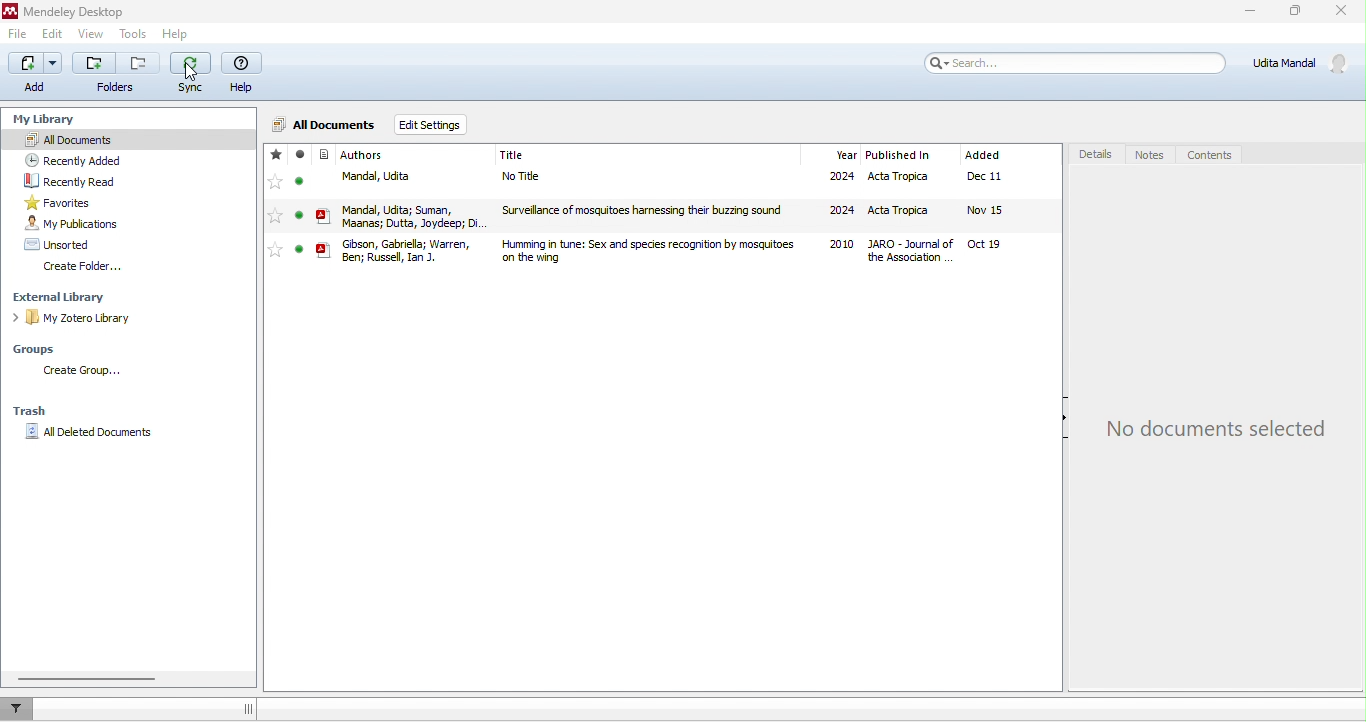 Image resolution: width=1366 pixels, height=722 pixels. I want to click on details, so click(1098, 152).